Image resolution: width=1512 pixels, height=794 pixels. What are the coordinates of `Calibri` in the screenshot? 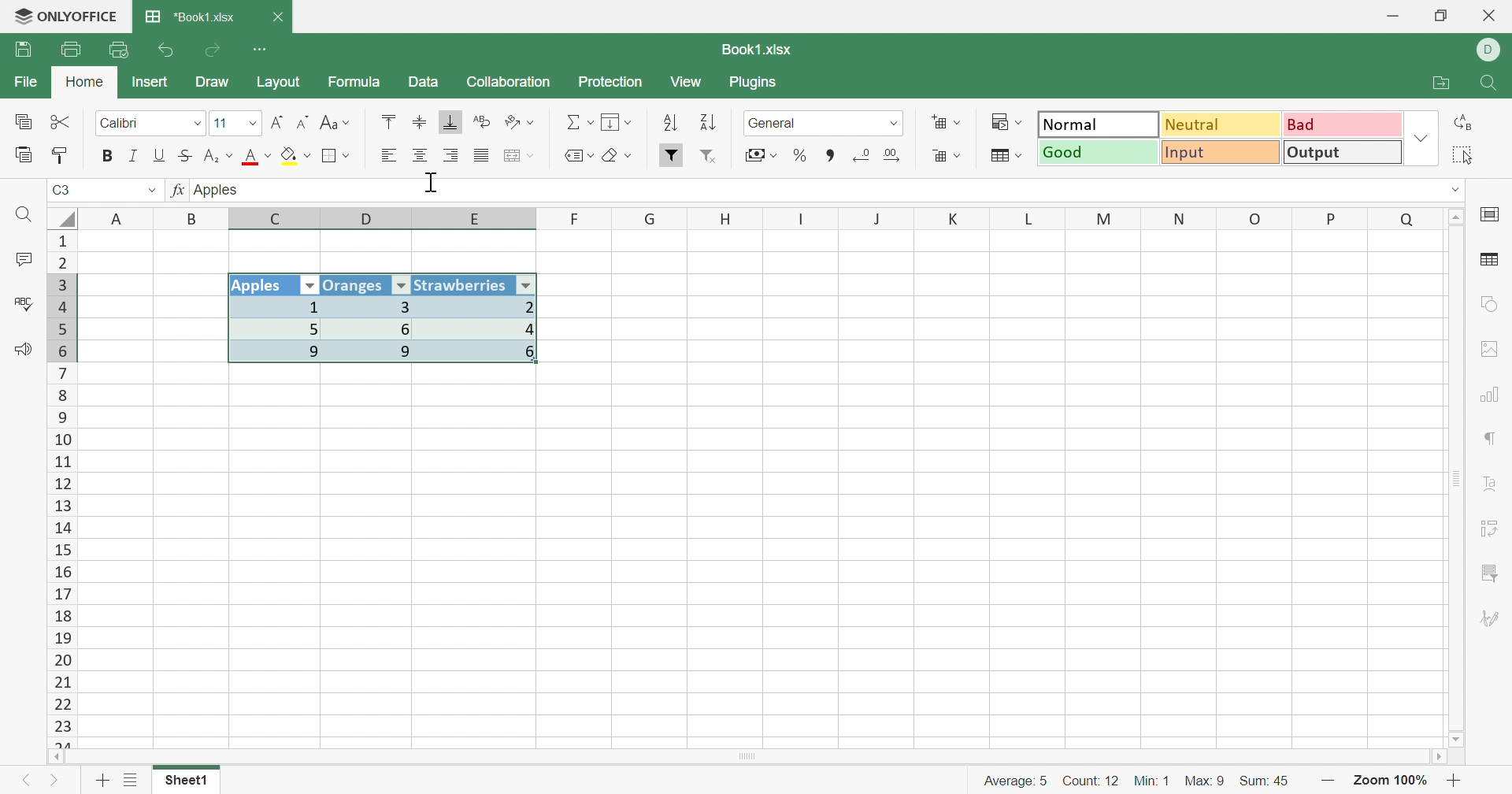 It's located at (120, 124).